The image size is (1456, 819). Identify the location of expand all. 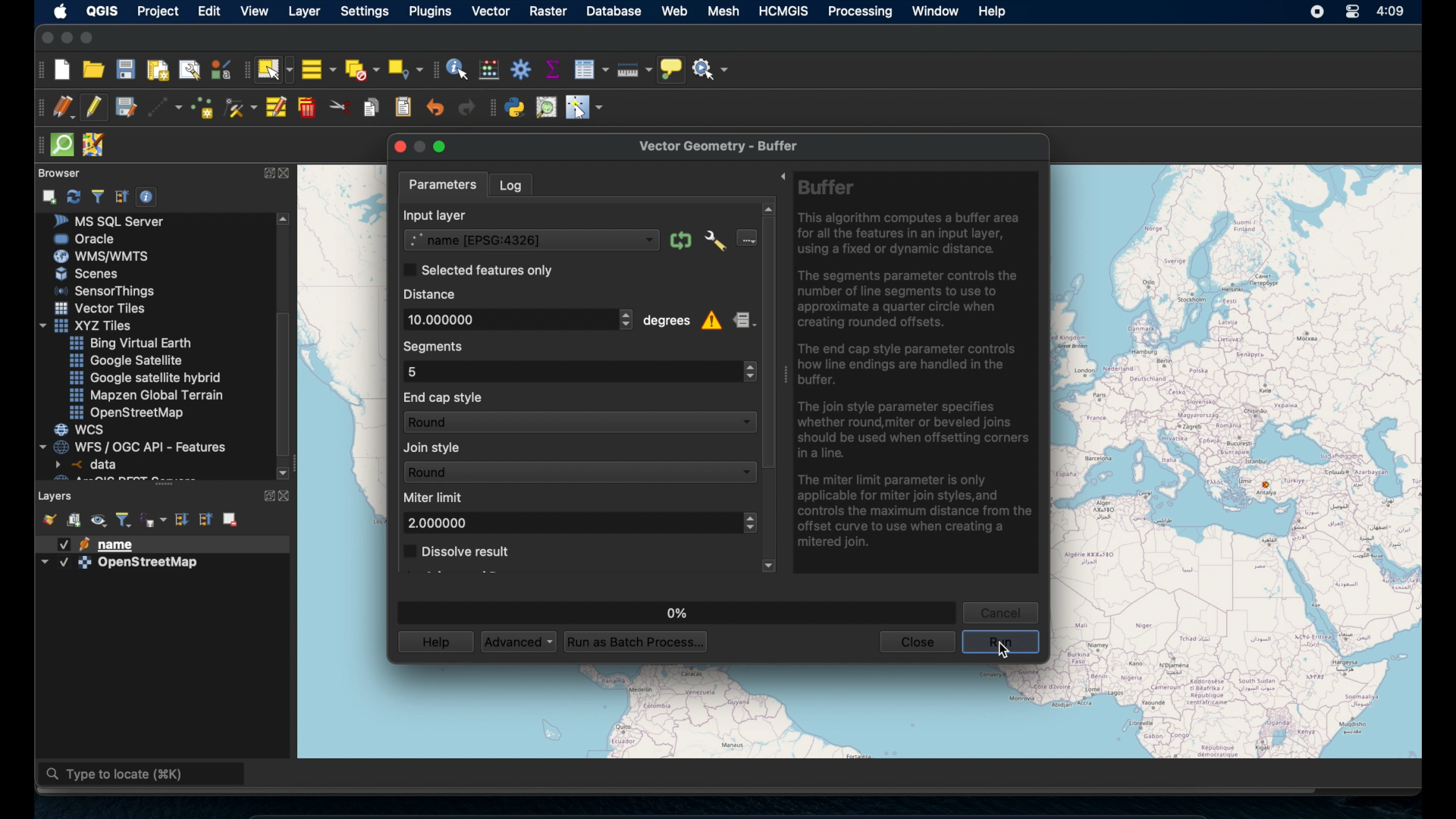
(180, 518).